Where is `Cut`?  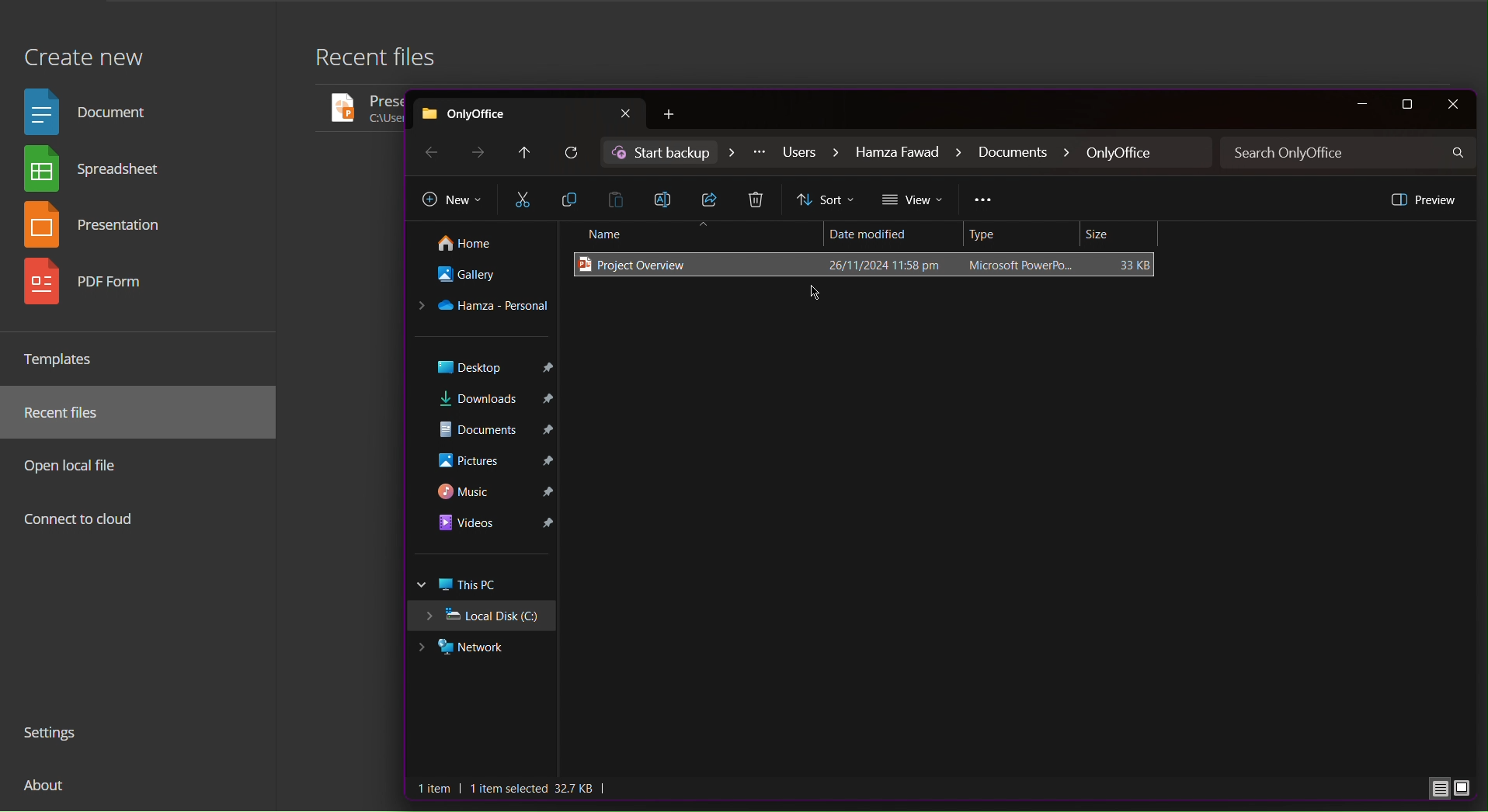 Cut is located at coordinates (523, 200).